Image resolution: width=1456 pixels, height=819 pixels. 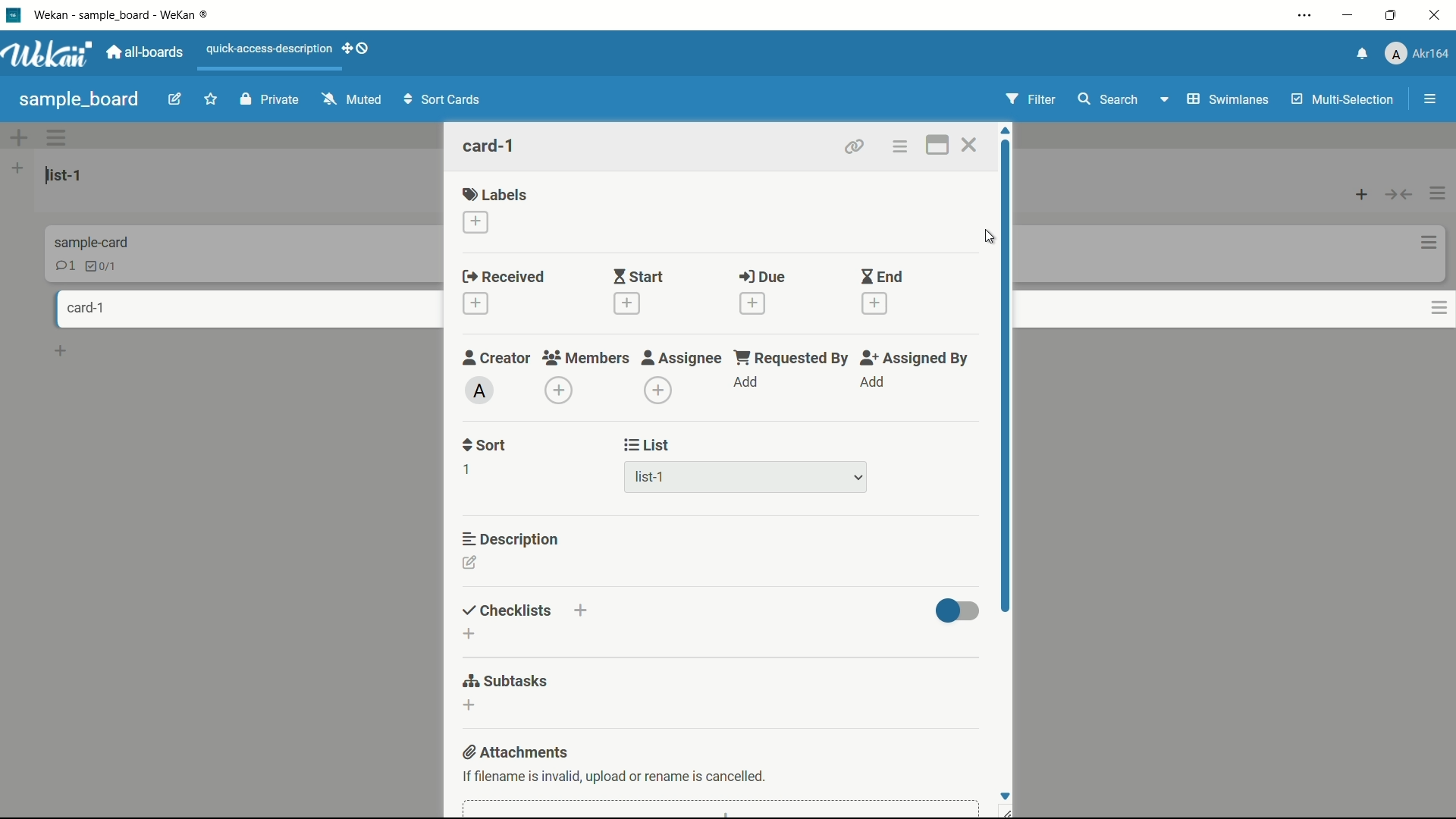 What do you see at coordinates (447, 102) in the screenshot?
I see `sort cards` at bounding box center [447, 102].